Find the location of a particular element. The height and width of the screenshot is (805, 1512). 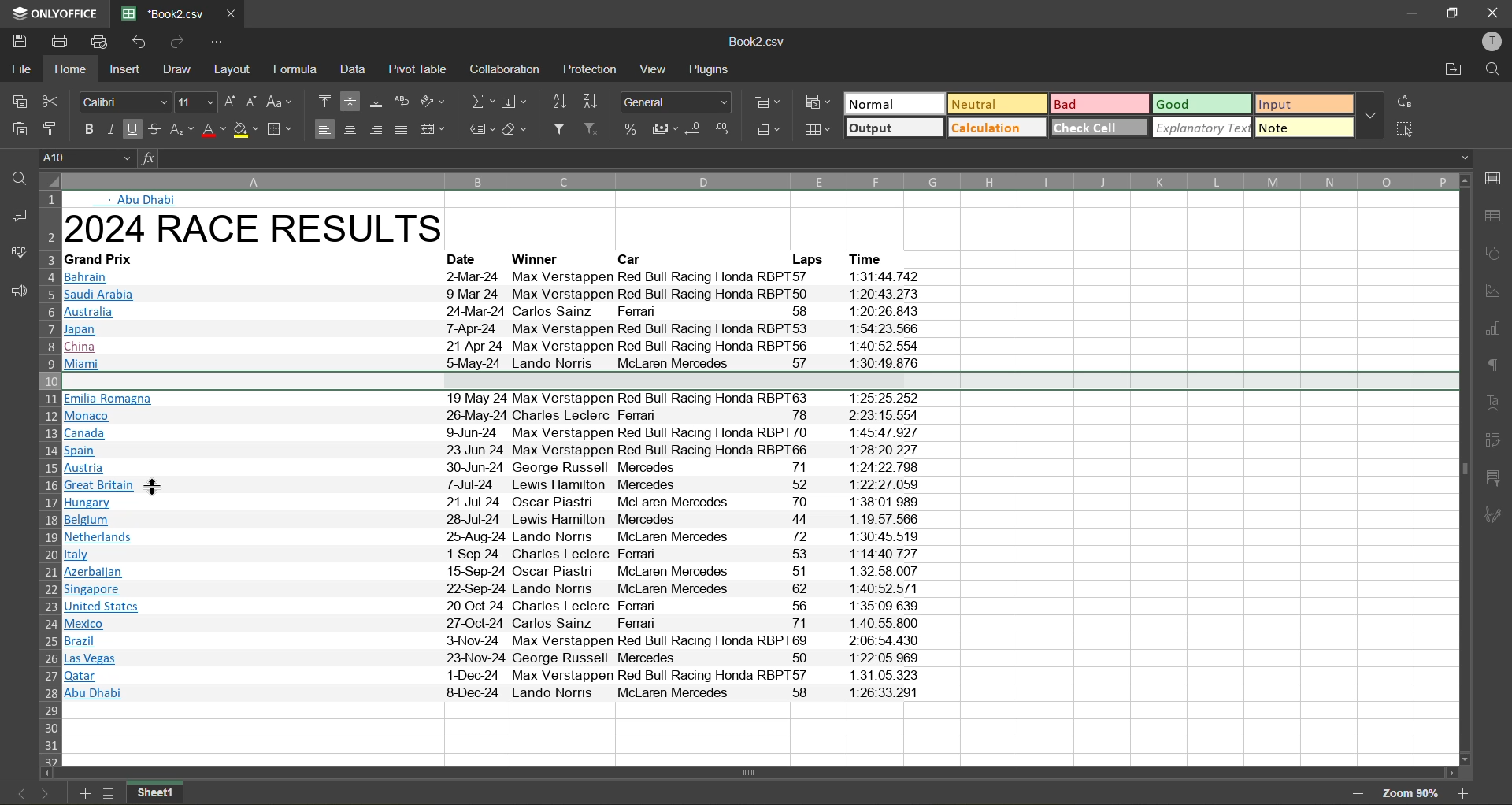

summation is located at coordinates (479, 101).